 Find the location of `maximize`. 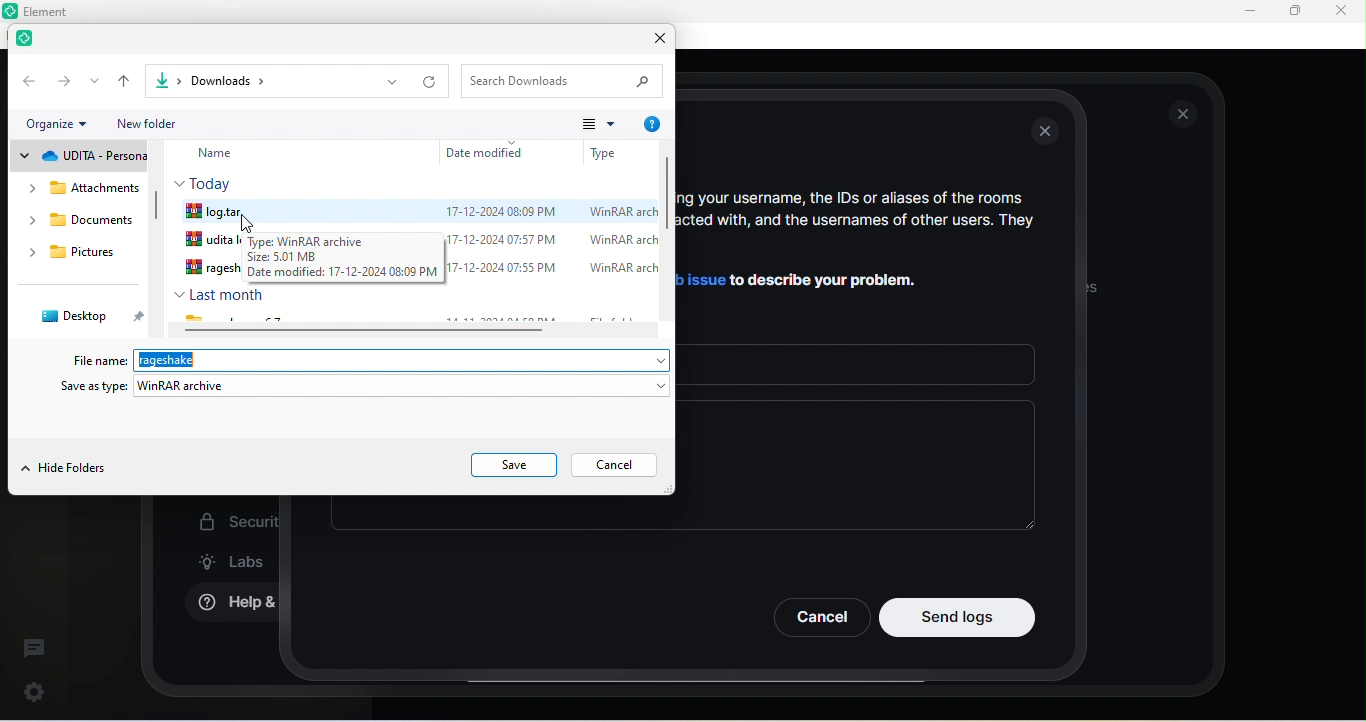

maximize is located at coordinates (1294, 12).